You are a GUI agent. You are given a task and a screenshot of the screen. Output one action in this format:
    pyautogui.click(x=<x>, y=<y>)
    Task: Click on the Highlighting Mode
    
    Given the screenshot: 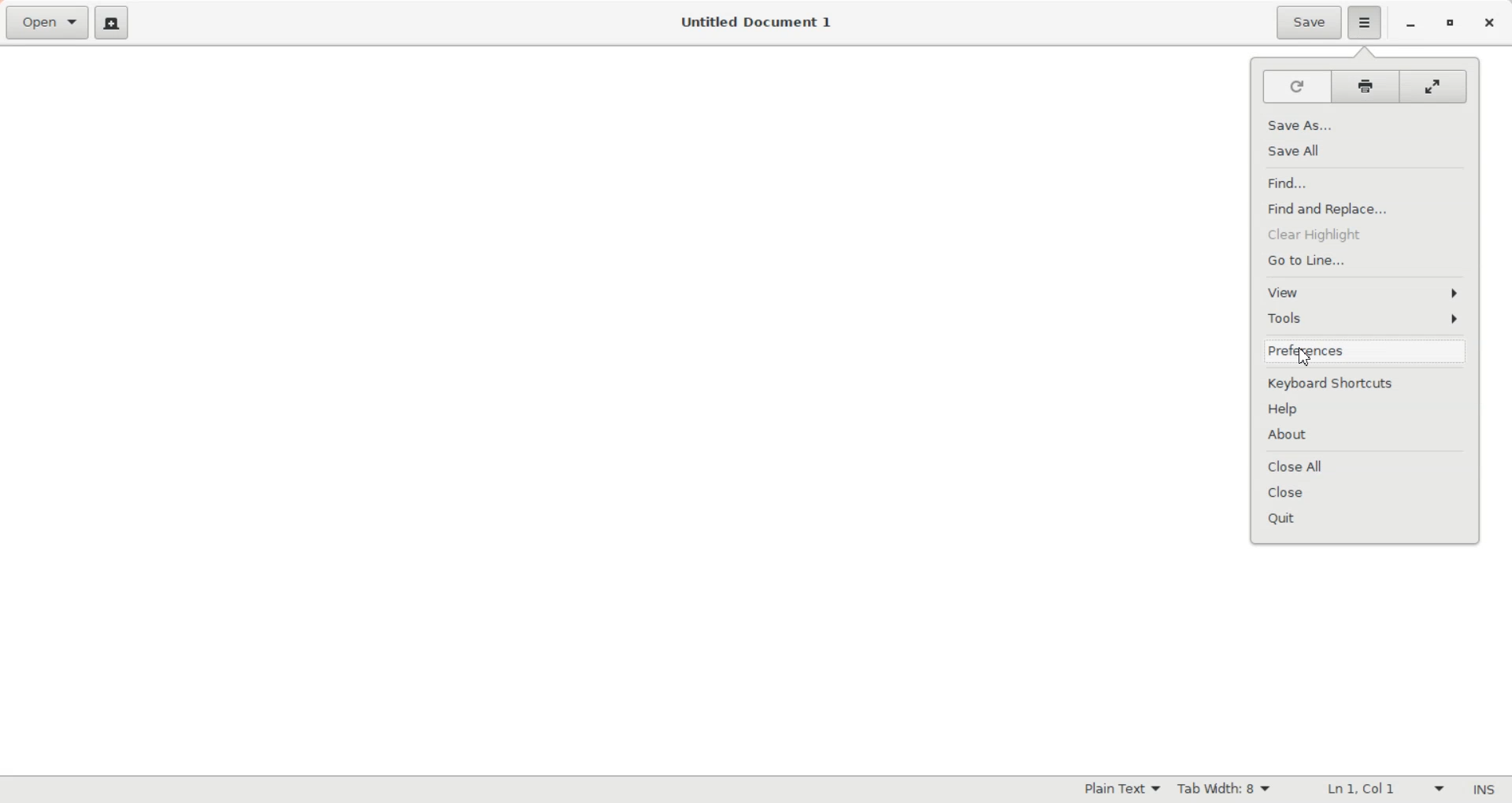 What is the action you would take?
    pyautogui.click(x=1120, y=790)
    